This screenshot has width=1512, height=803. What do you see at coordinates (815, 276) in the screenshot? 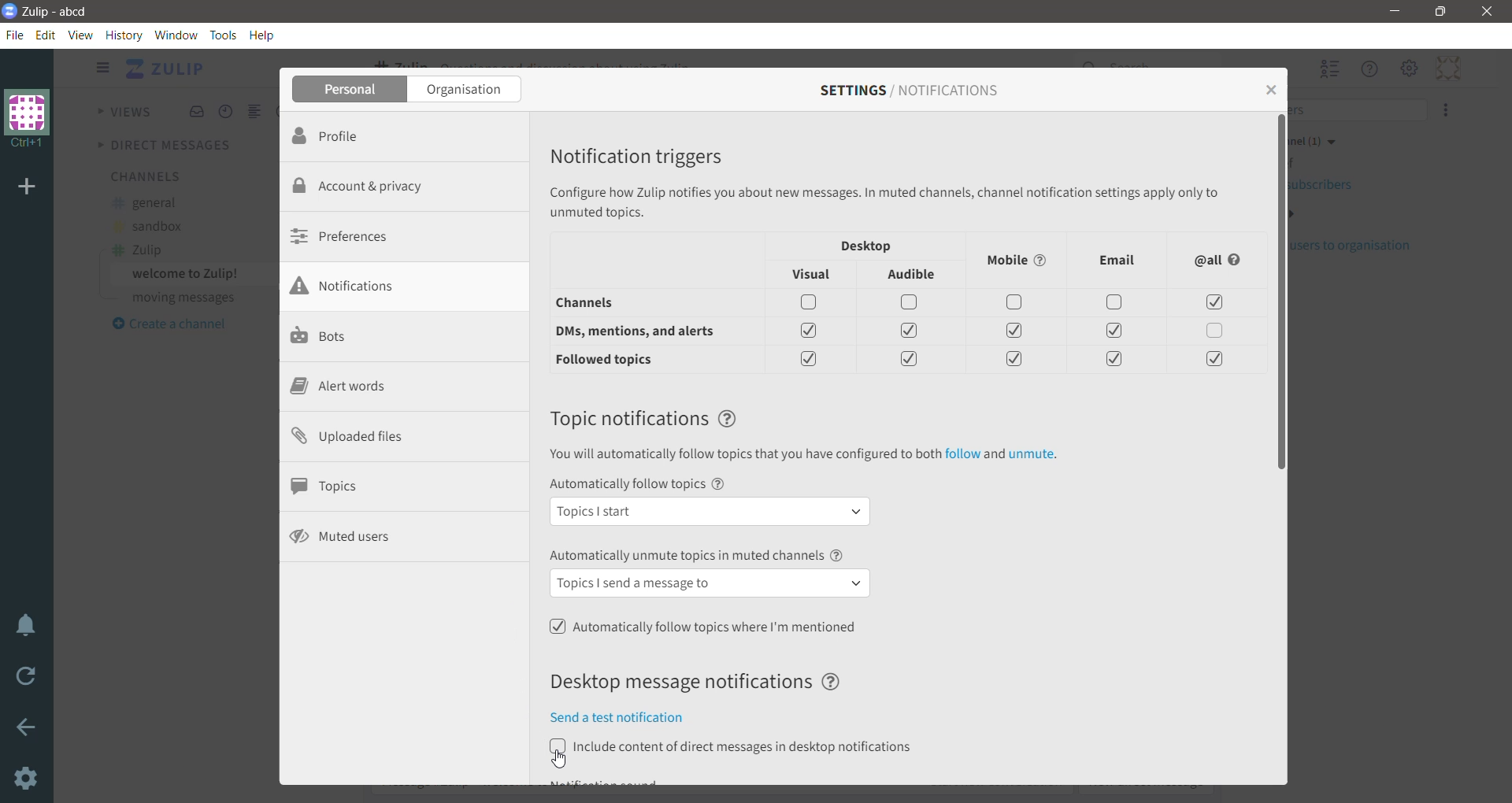
I see `visual` at bounding box center [815, 276].